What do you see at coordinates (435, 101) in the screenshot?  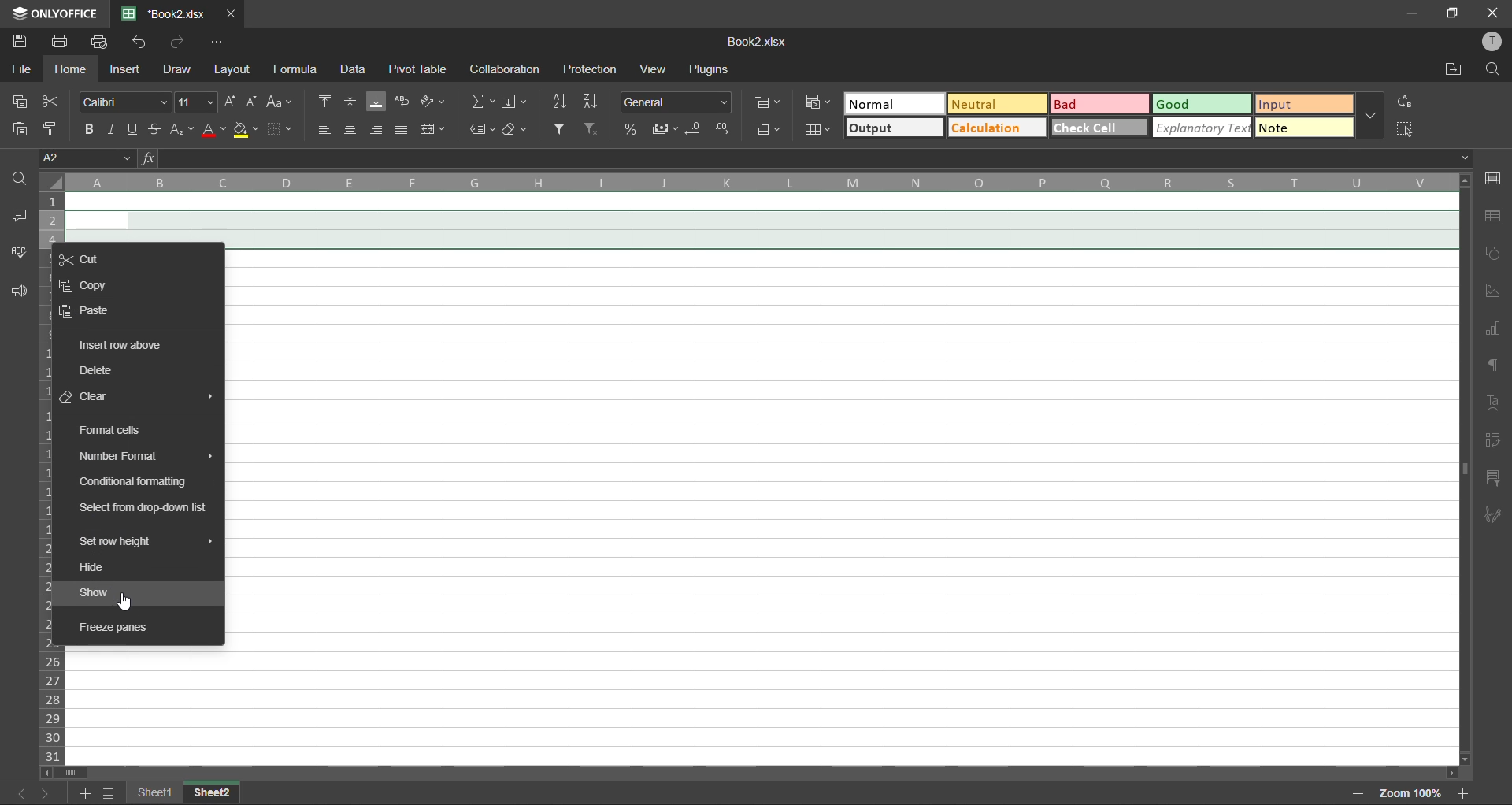 I see `orientation` at bounding box center [435, 101].